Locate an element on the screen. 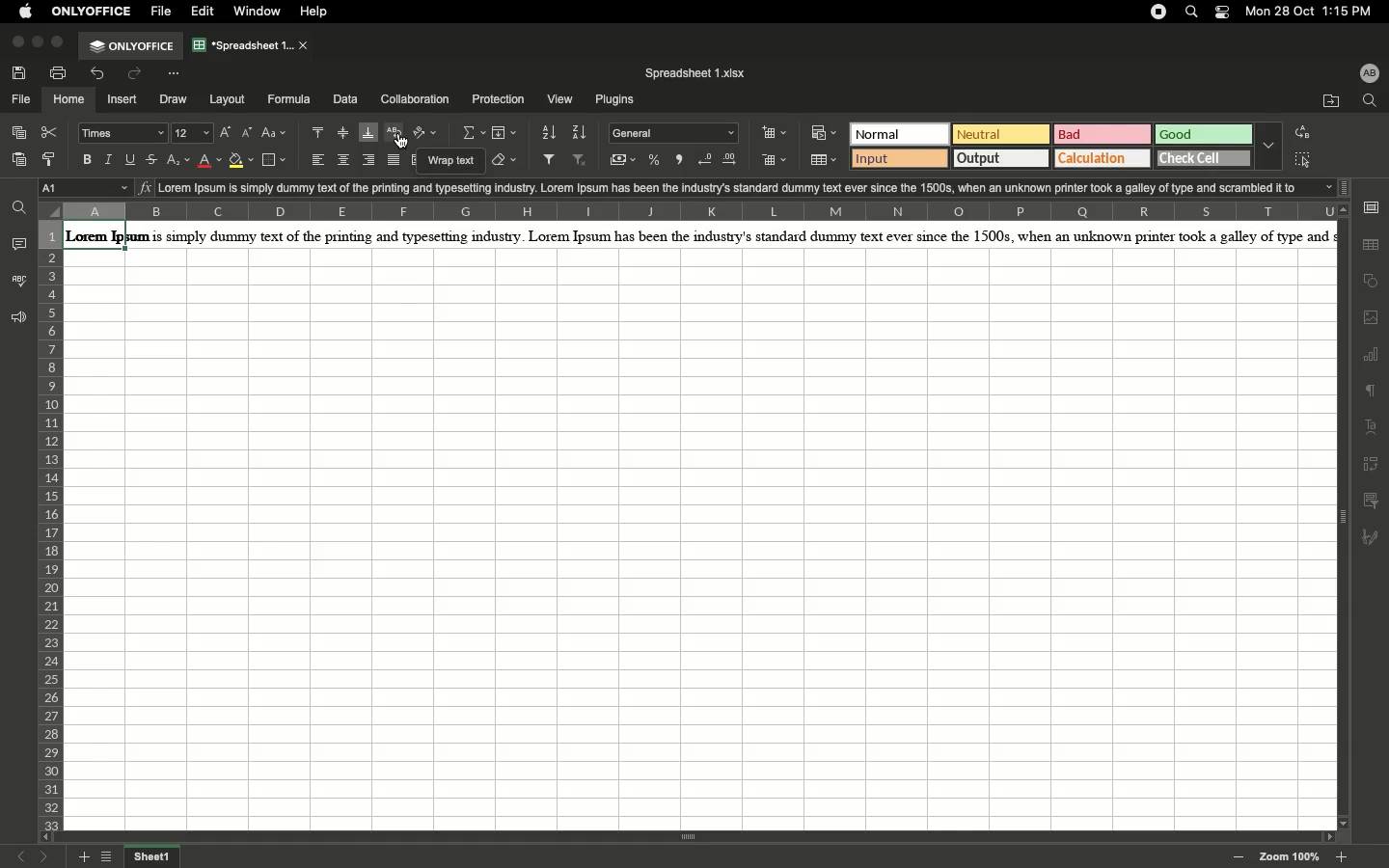 This screenshot has height=868, width=1389. Print is located at coordinates (61, 72).